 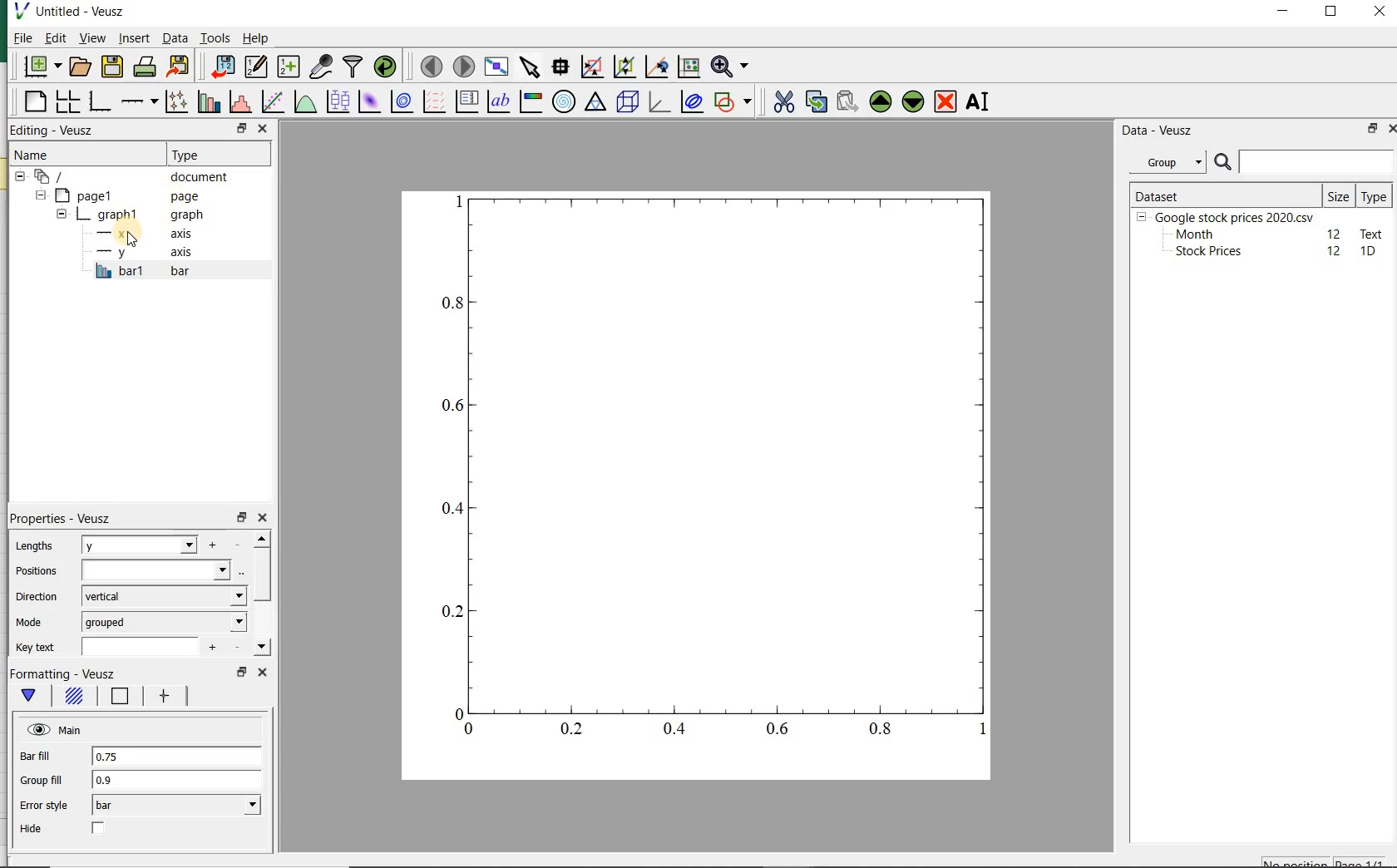 I want to click on 12, so click(x=1335, y=233).